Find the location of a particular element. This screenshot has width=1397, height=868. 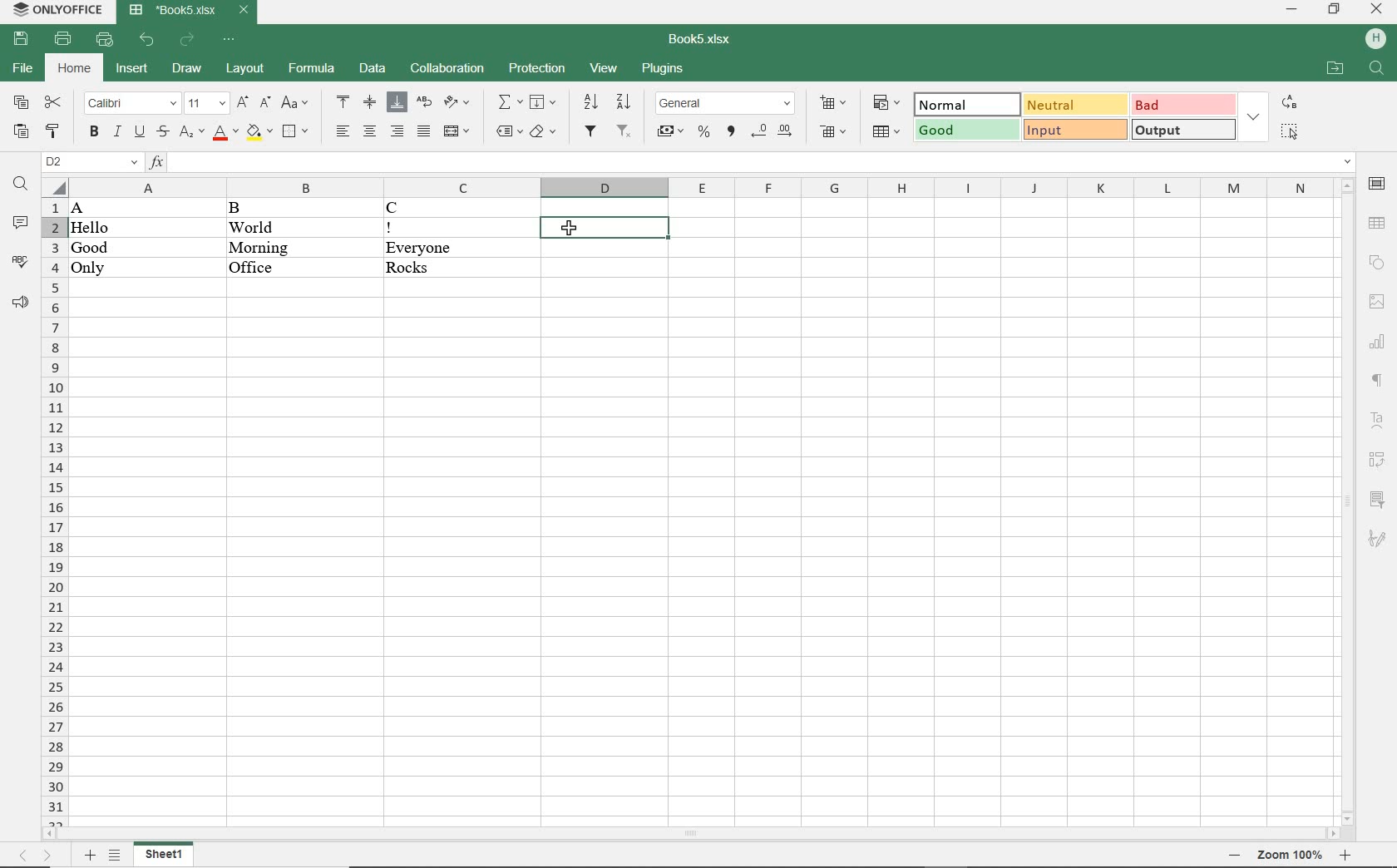

ADD SHEETS is located at coordinates (89, 854).